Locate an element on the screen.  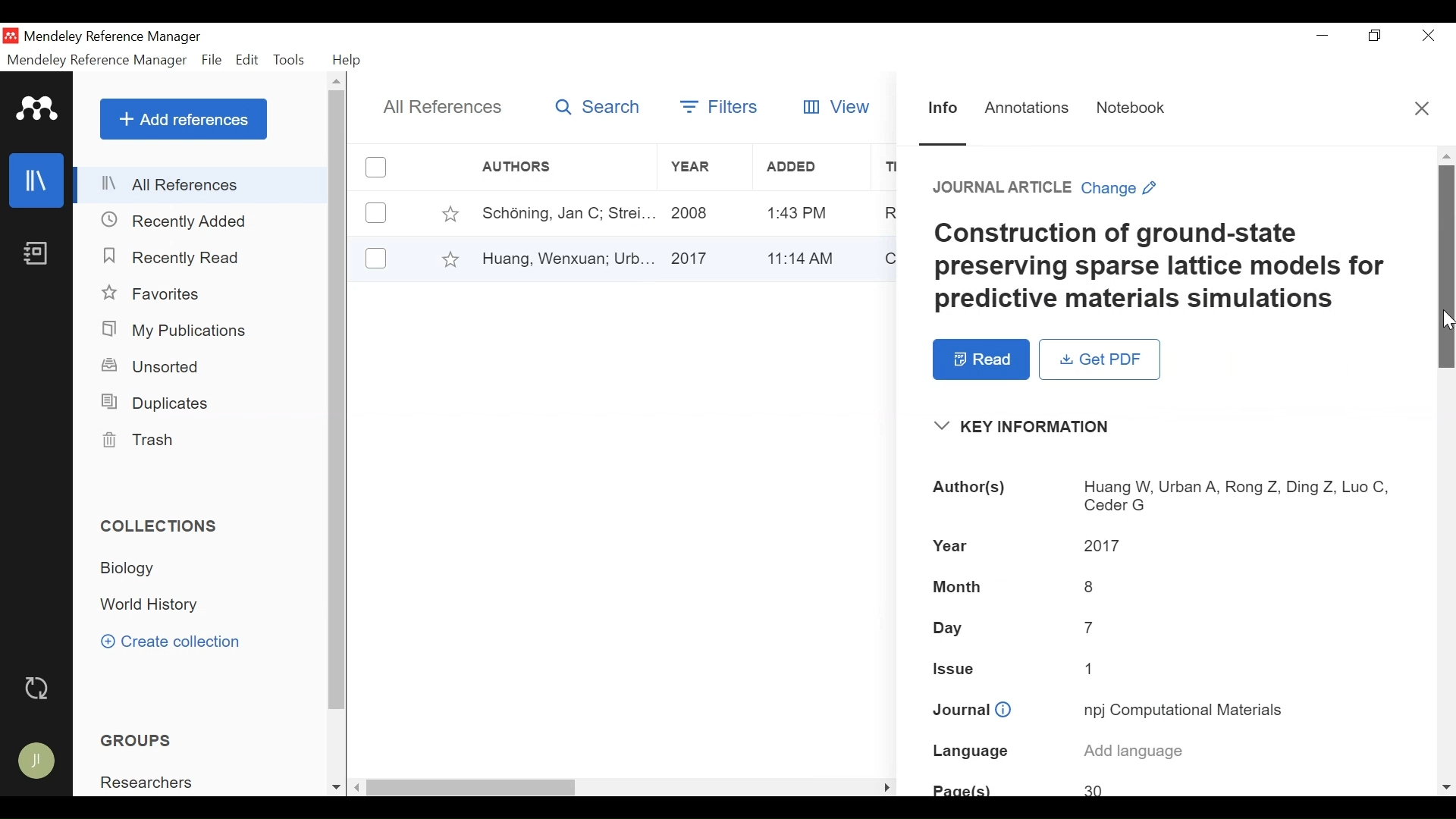
Day is located at coordinates (1166, 628).